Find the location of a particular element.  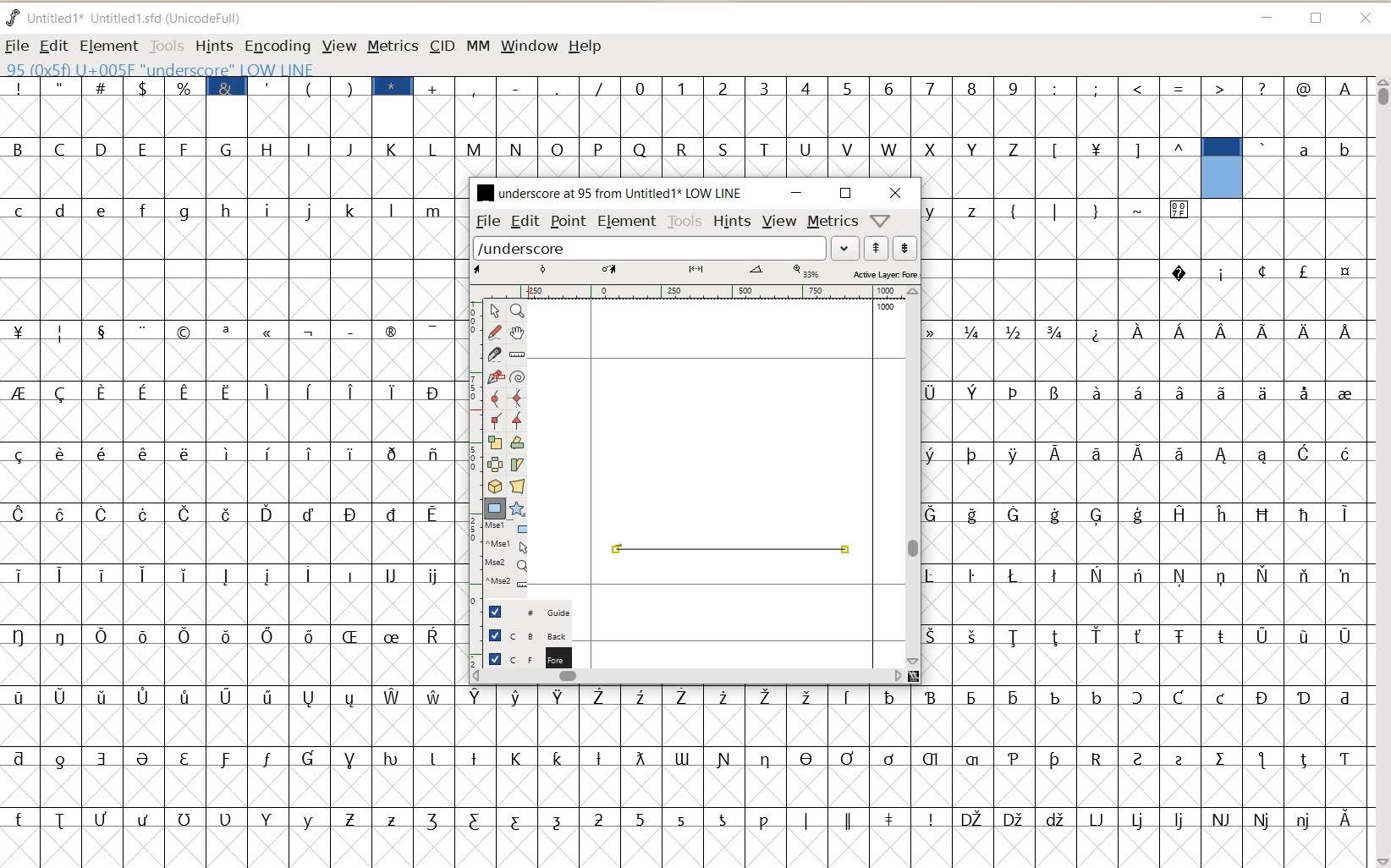

GLYPHY CHARACTERS is located at coordinates (1311, 167).